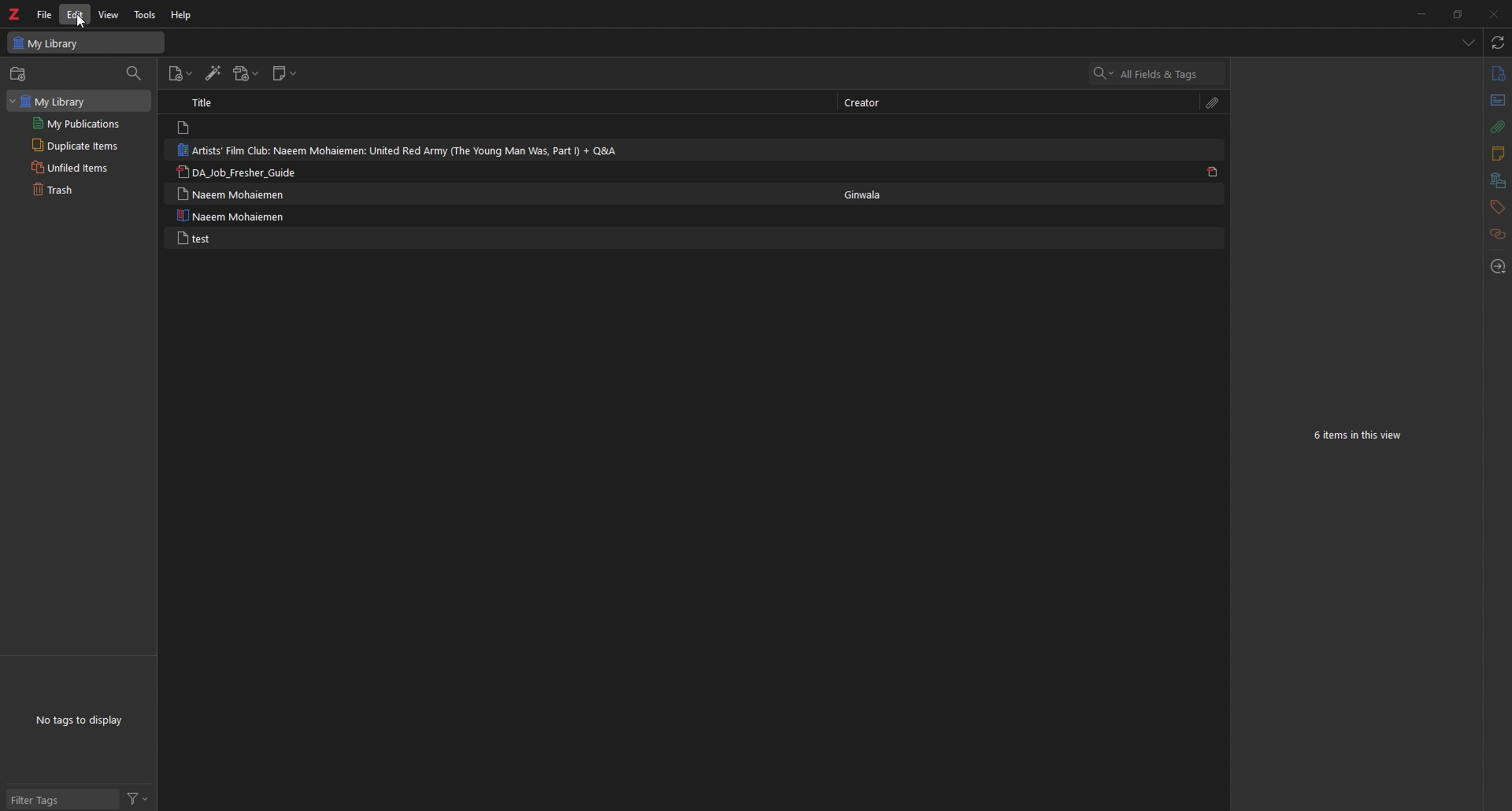 This screenshot has width=1512, height=811. I want to click on pdf, so click(1213, 172).